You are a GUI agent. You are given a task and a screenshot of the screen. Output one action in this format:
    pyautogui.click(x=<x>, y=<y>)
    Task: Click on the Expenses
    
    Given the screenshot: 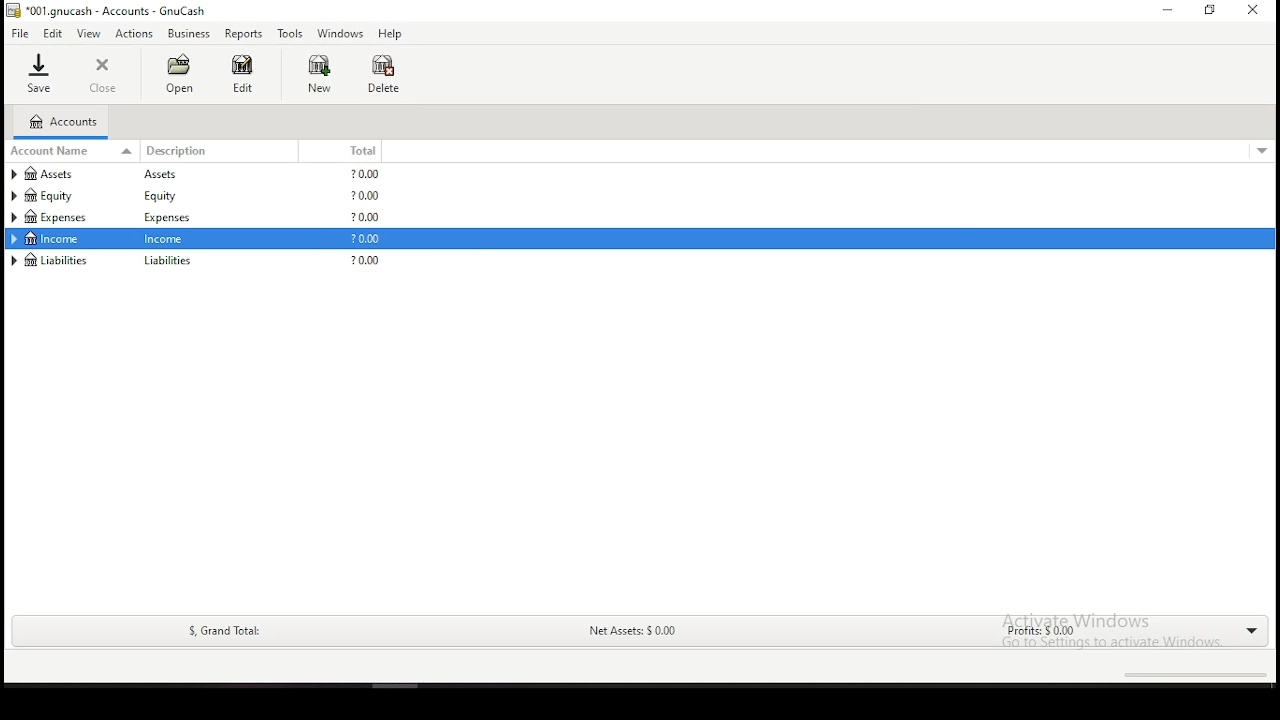 What is the action you would take?
    pyautogui.click(x=165, y=219)
    